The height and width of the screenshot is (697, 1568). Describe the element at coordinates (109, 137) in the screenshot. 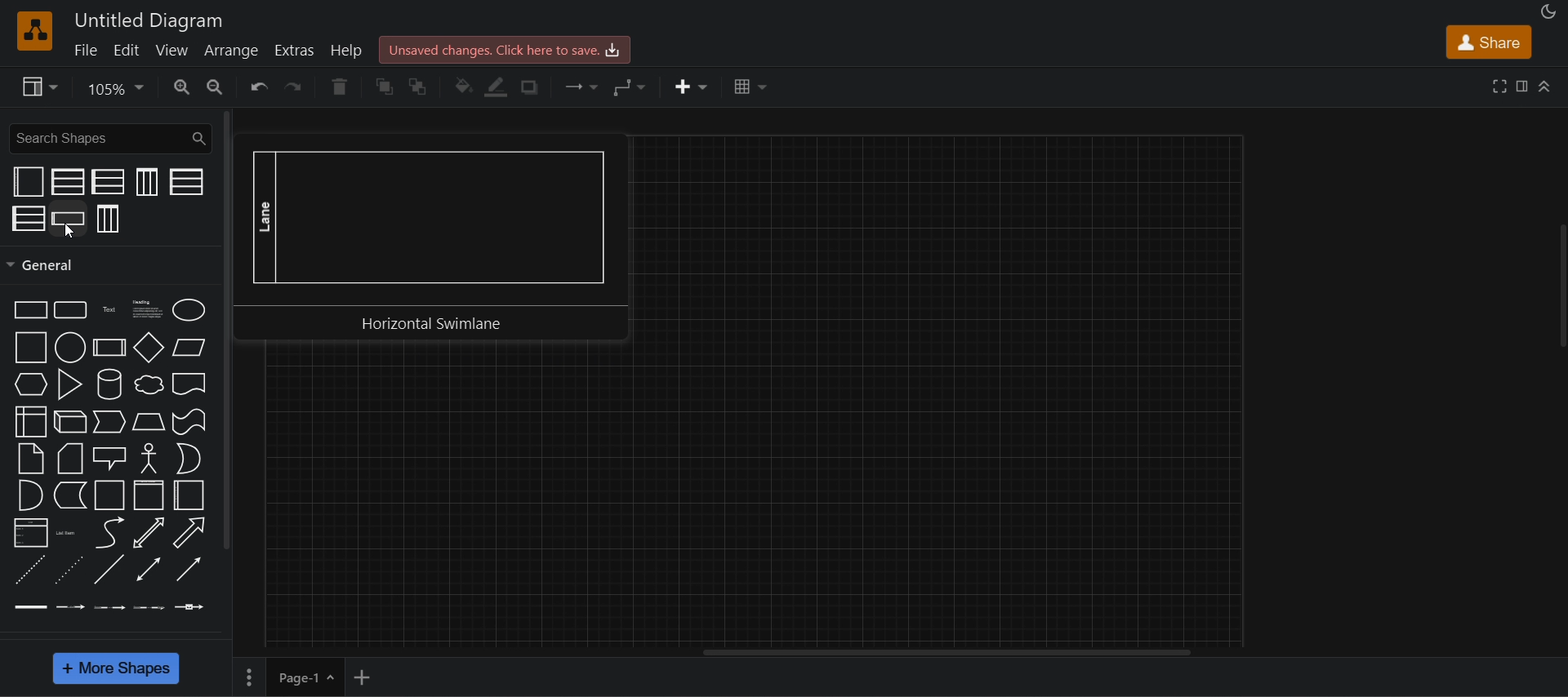

I see `search shapes` at that location.